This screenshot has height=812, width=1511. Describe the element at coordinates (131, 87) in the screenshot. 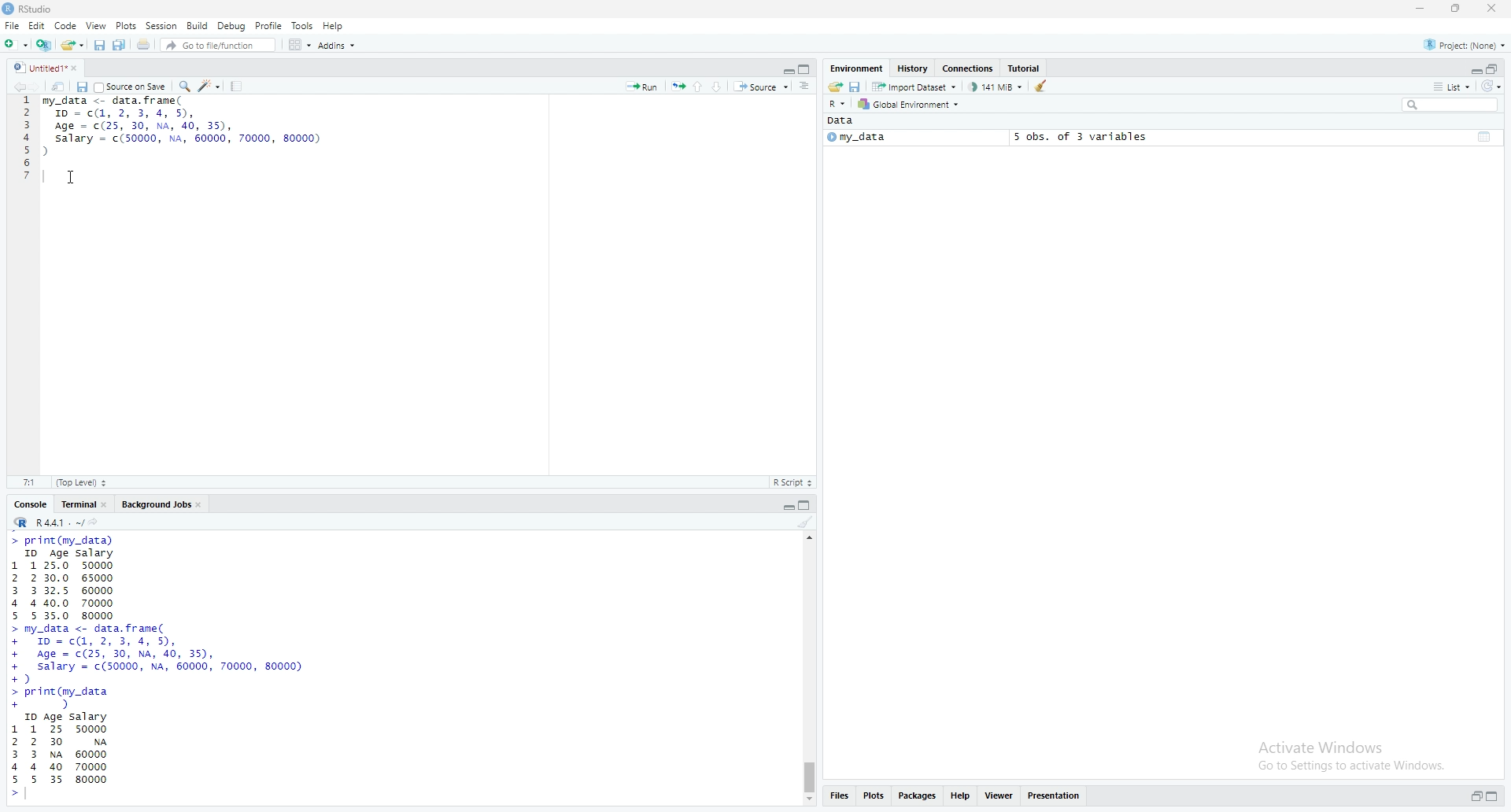

I see `source on save` at that location.